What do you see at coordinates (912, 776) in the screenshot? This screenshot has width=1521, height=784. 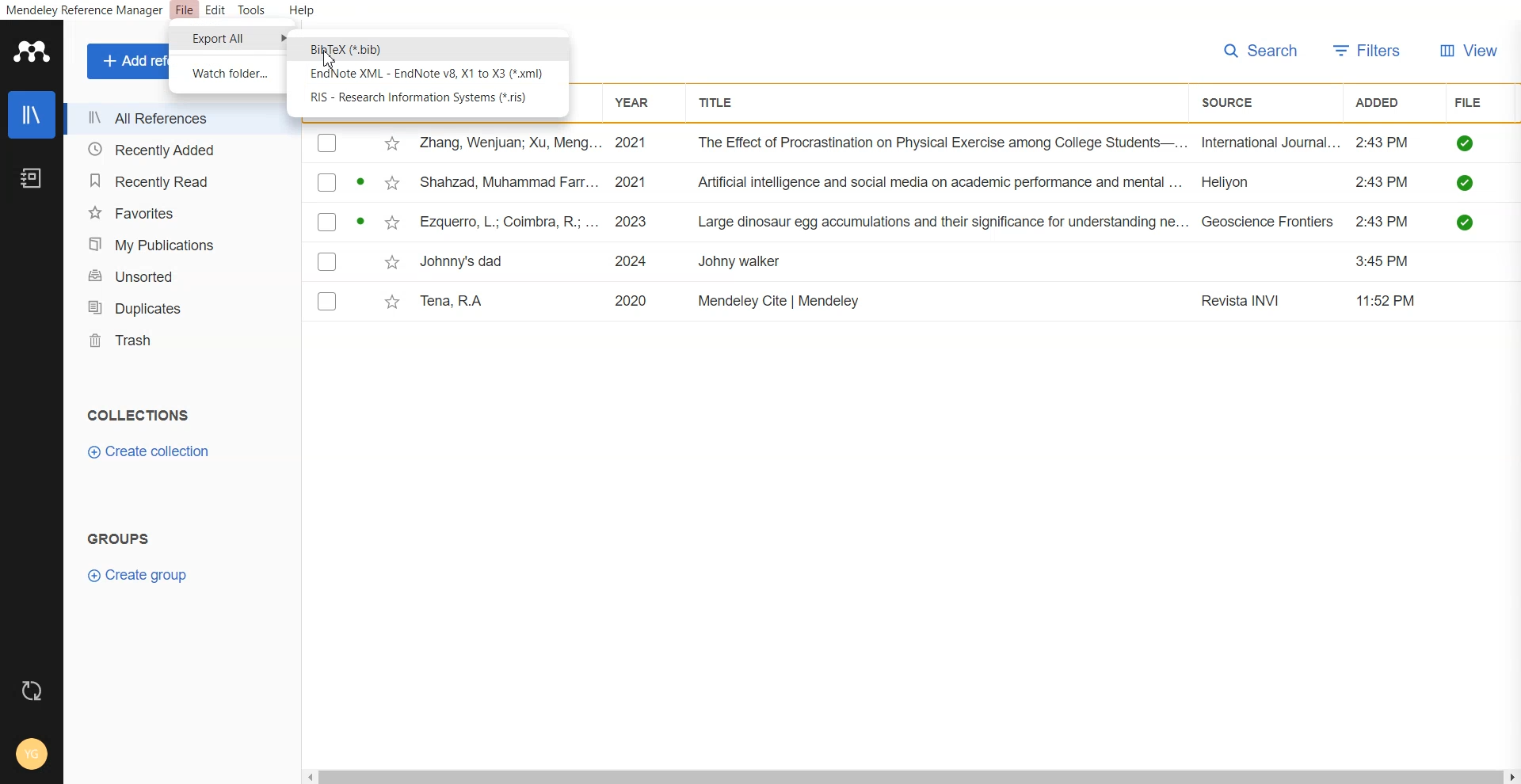 I see `Horizontal scroll bar` at bounding box center [912, 776].